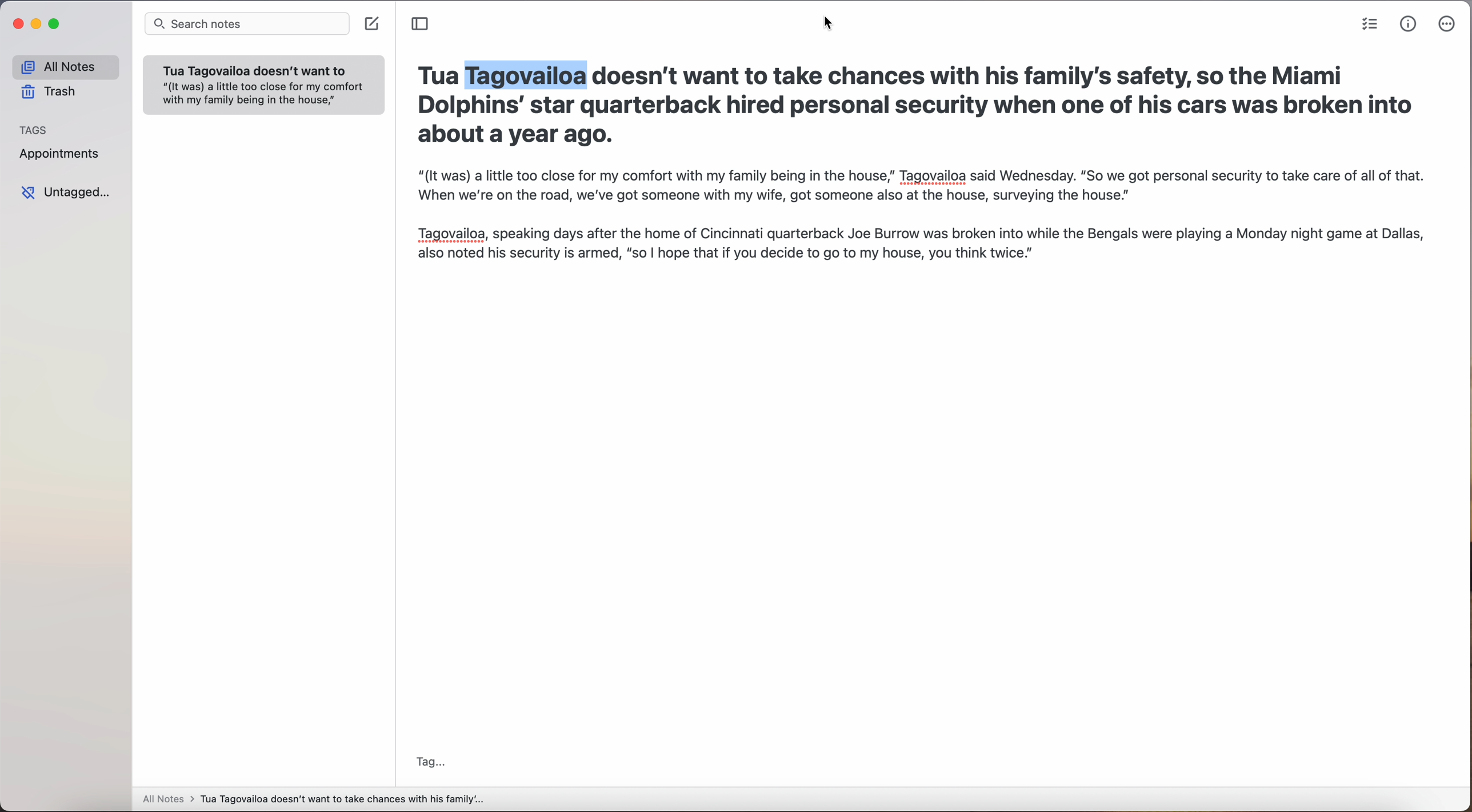 The height and width of the screenshot is (812, 1472). Describe the element at coordinates (246, 24) in the screenshot. I see `search bar` at that location.